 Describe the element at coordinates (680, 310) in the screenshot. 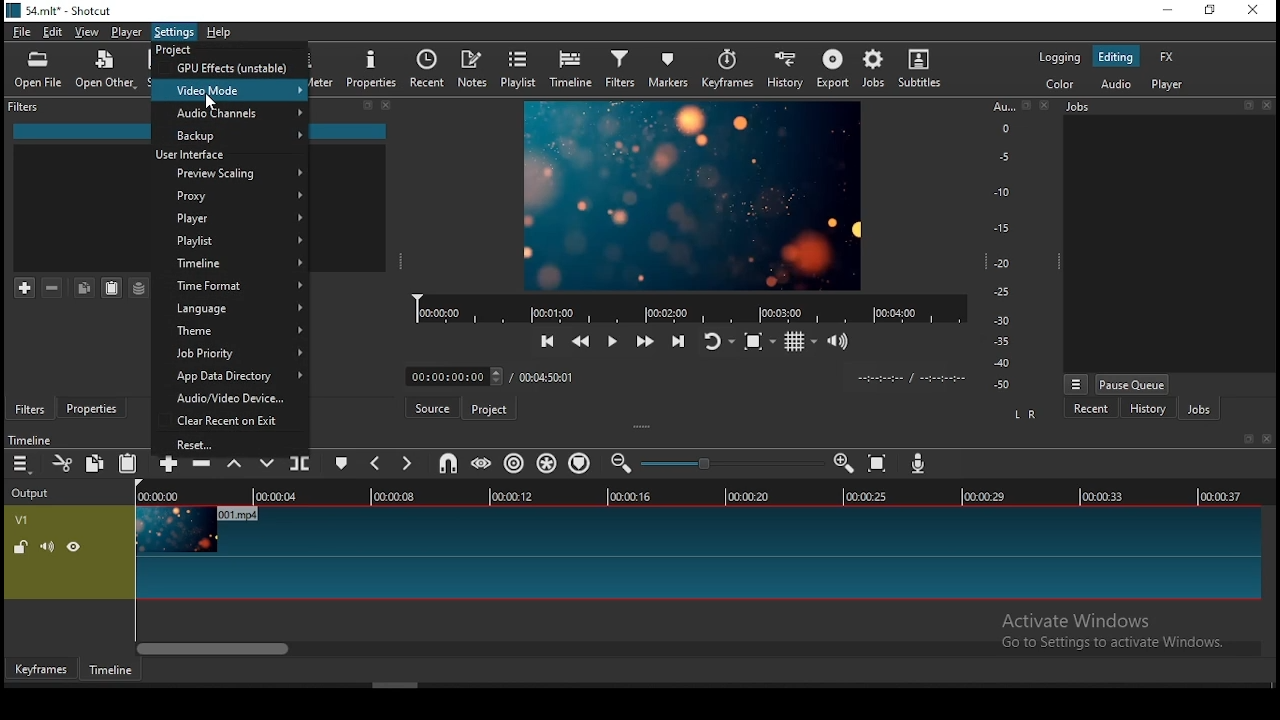

I see `record` at that location.